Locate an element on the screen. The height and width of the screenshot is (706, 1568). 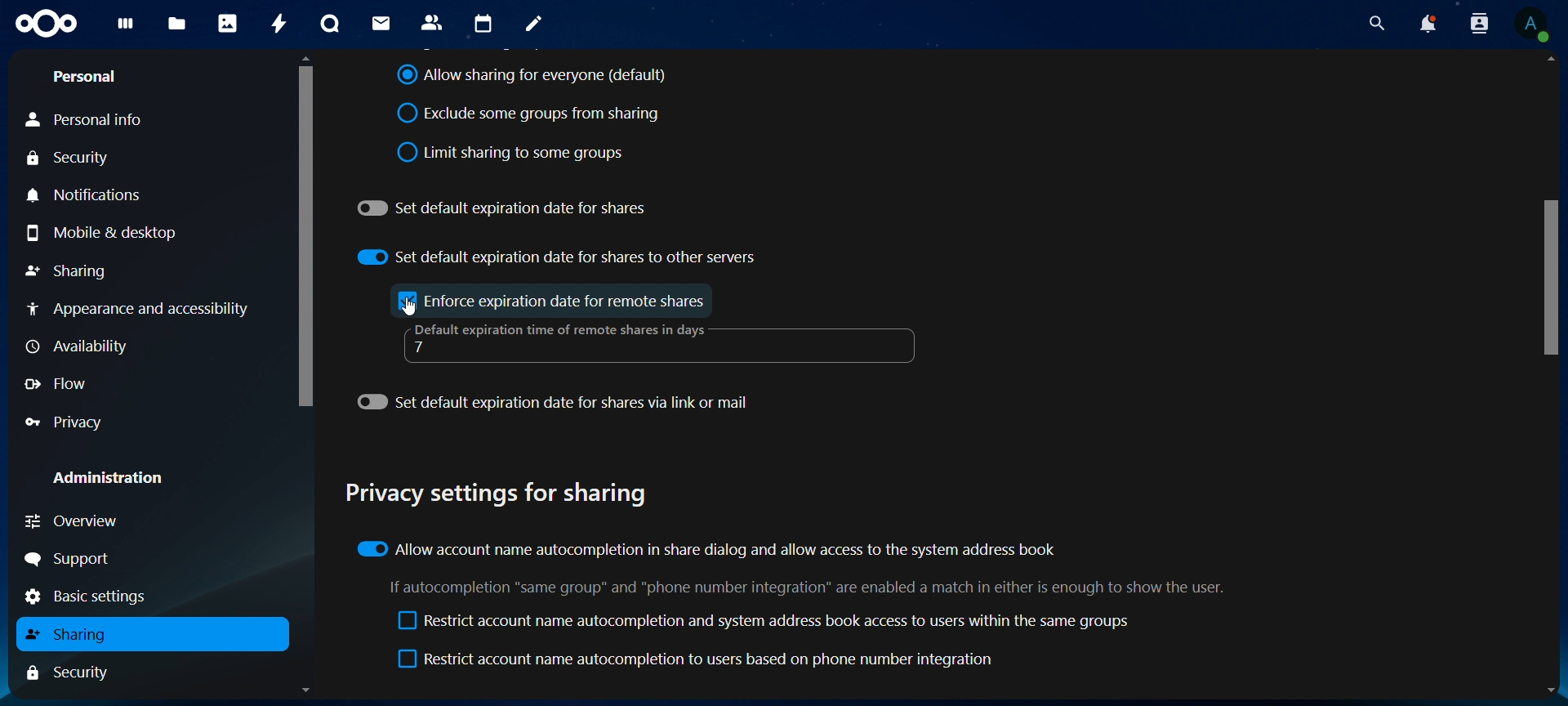
default expiration time of remote shares in days - 7 is located at coordinates (568, 341).